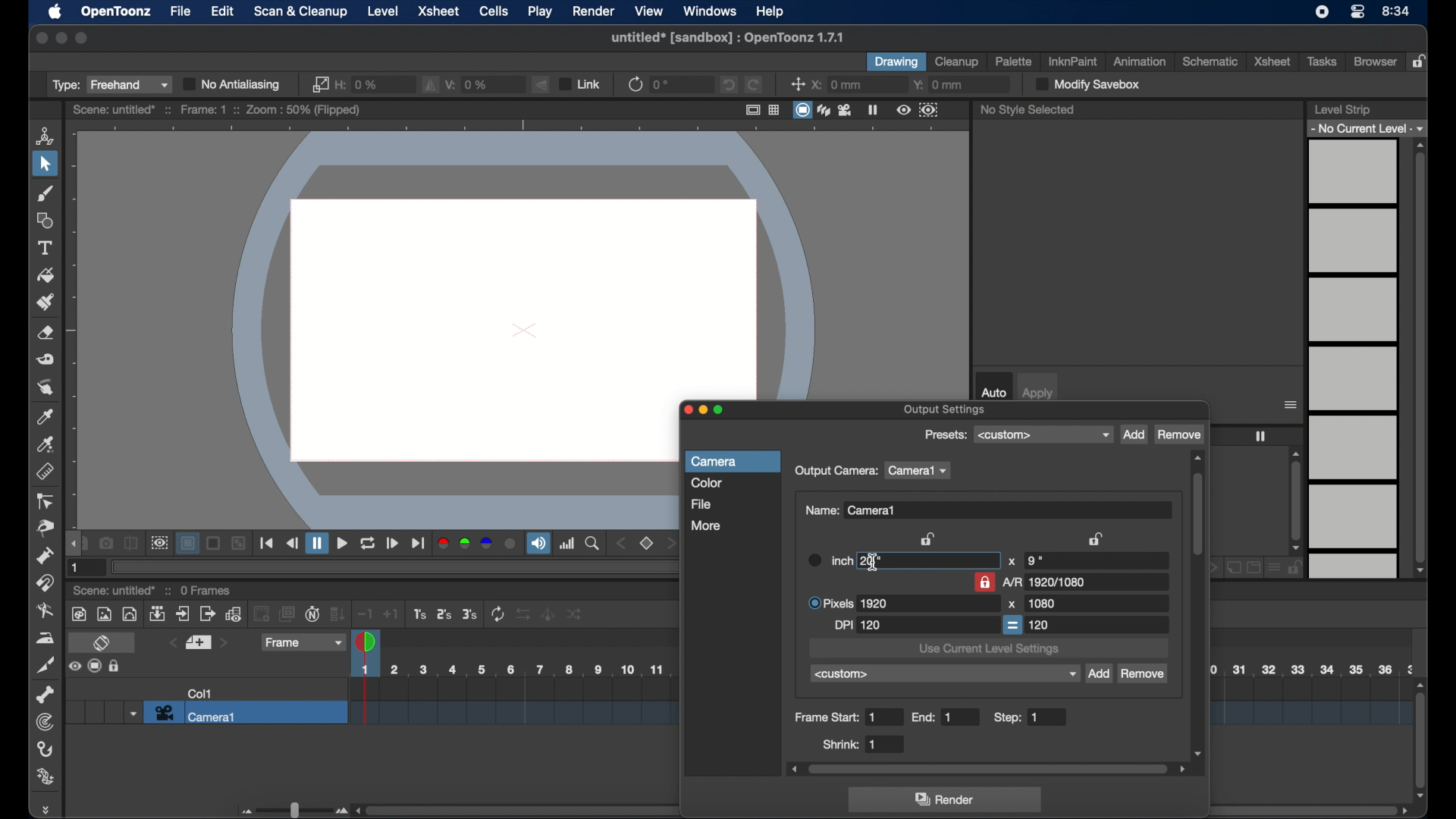 The image size is (1456, 819). Describe the element at coordinates (836, 472) in the screenshot. I see `output camera` at that location.